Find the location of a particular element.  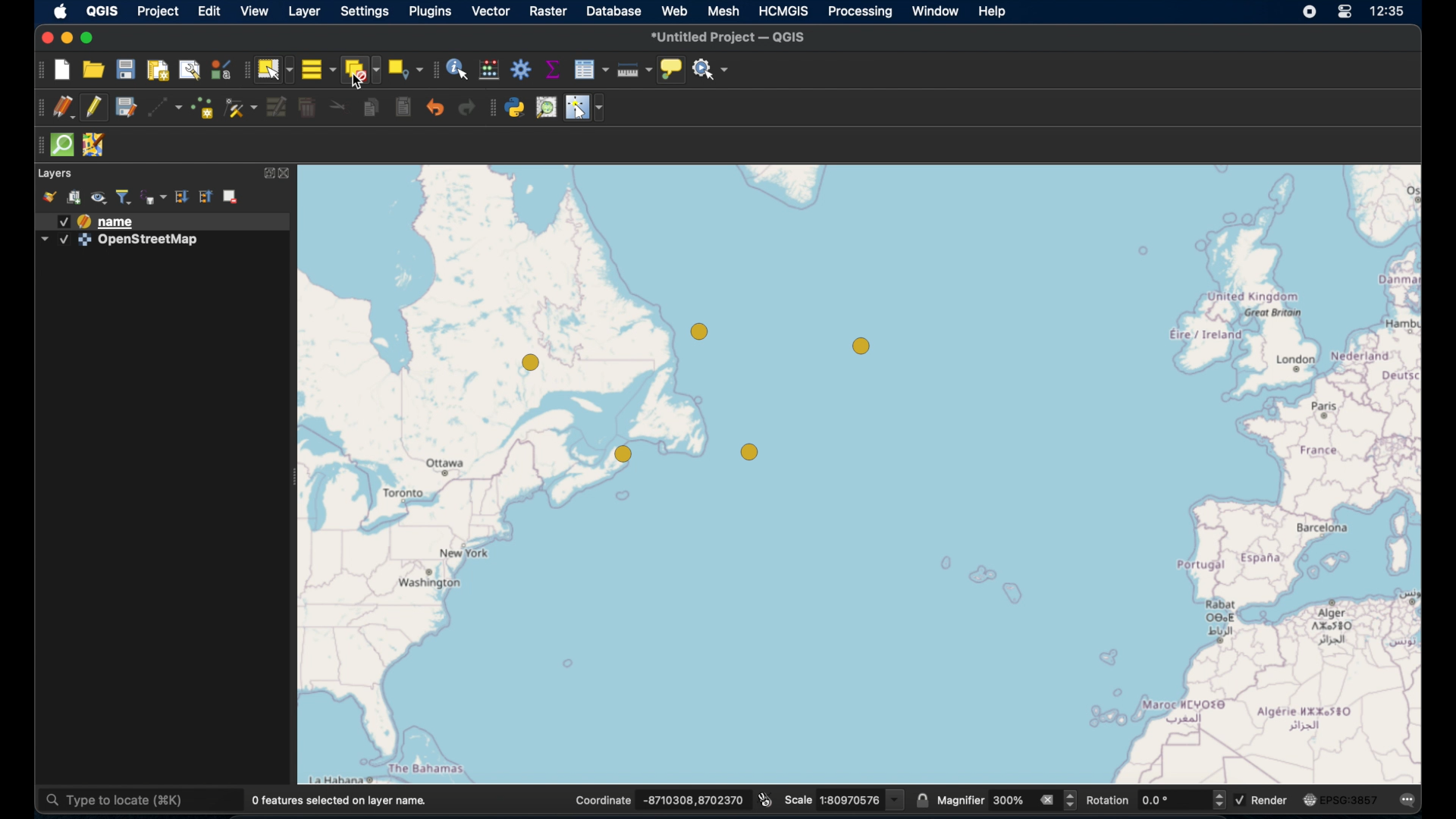

toggle extents and display mouse position  is located at coordinates (764, 799).